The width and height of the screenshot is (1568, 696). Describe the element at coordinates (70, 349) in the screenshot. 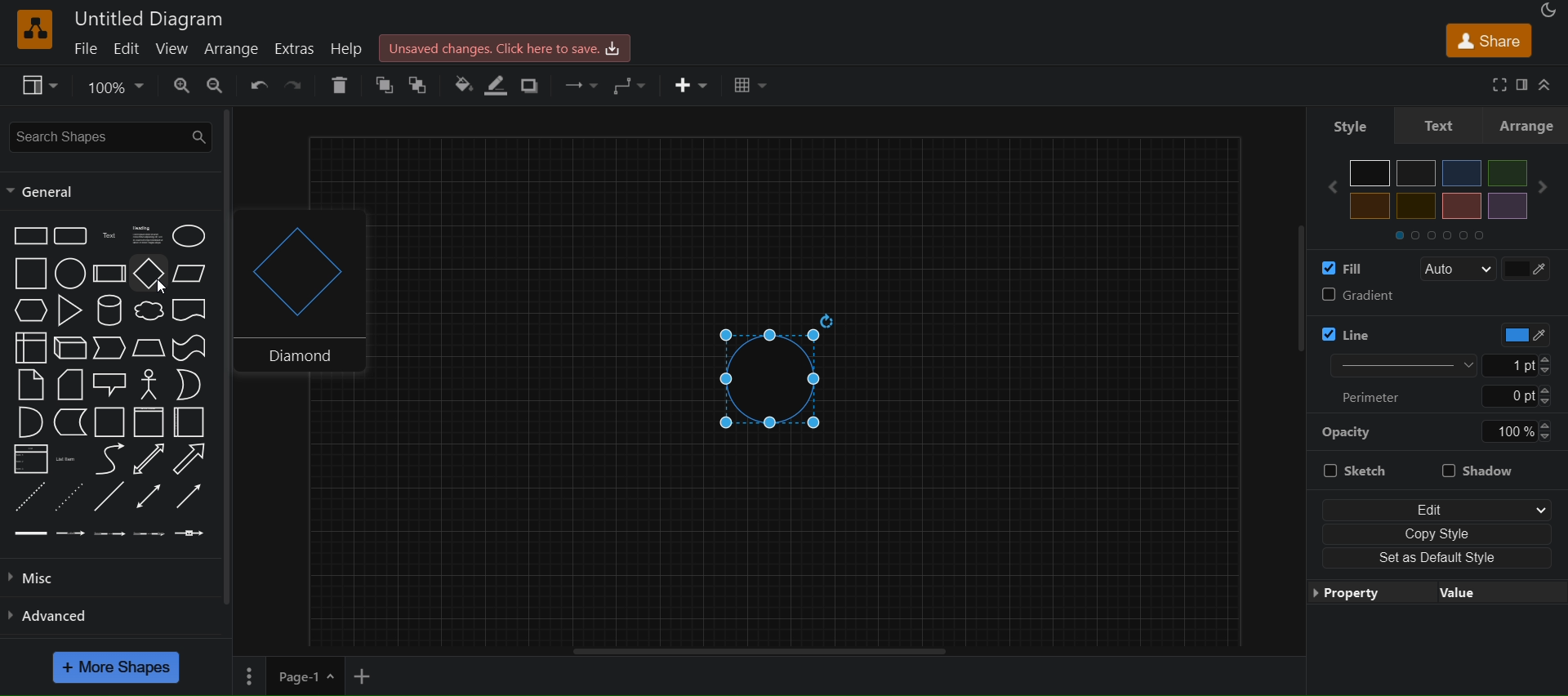

I see `cube` at that location.